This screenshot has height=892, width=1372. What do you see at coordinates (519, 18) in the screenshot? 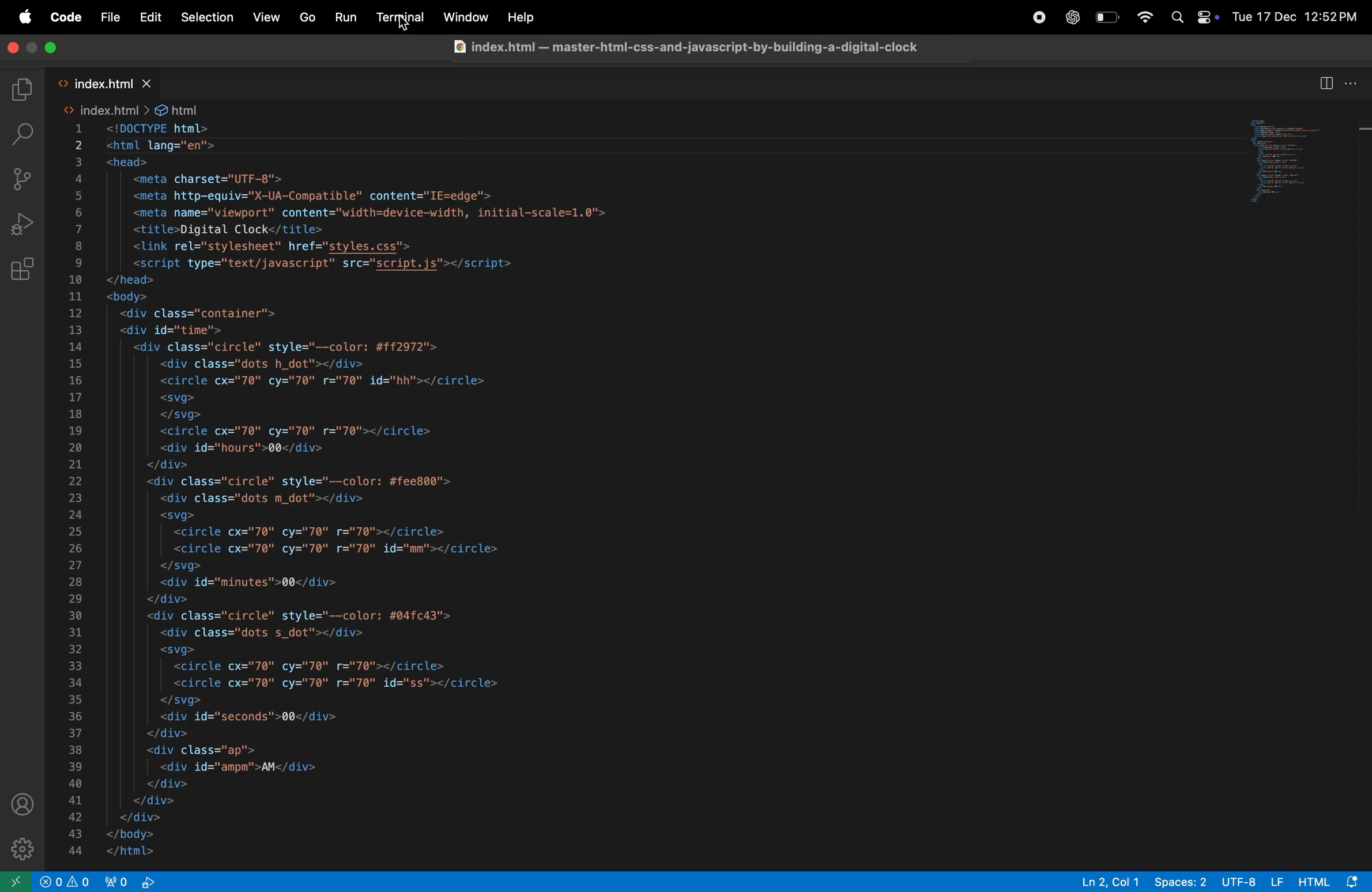
I see `help` at bounding box center [519, 18].